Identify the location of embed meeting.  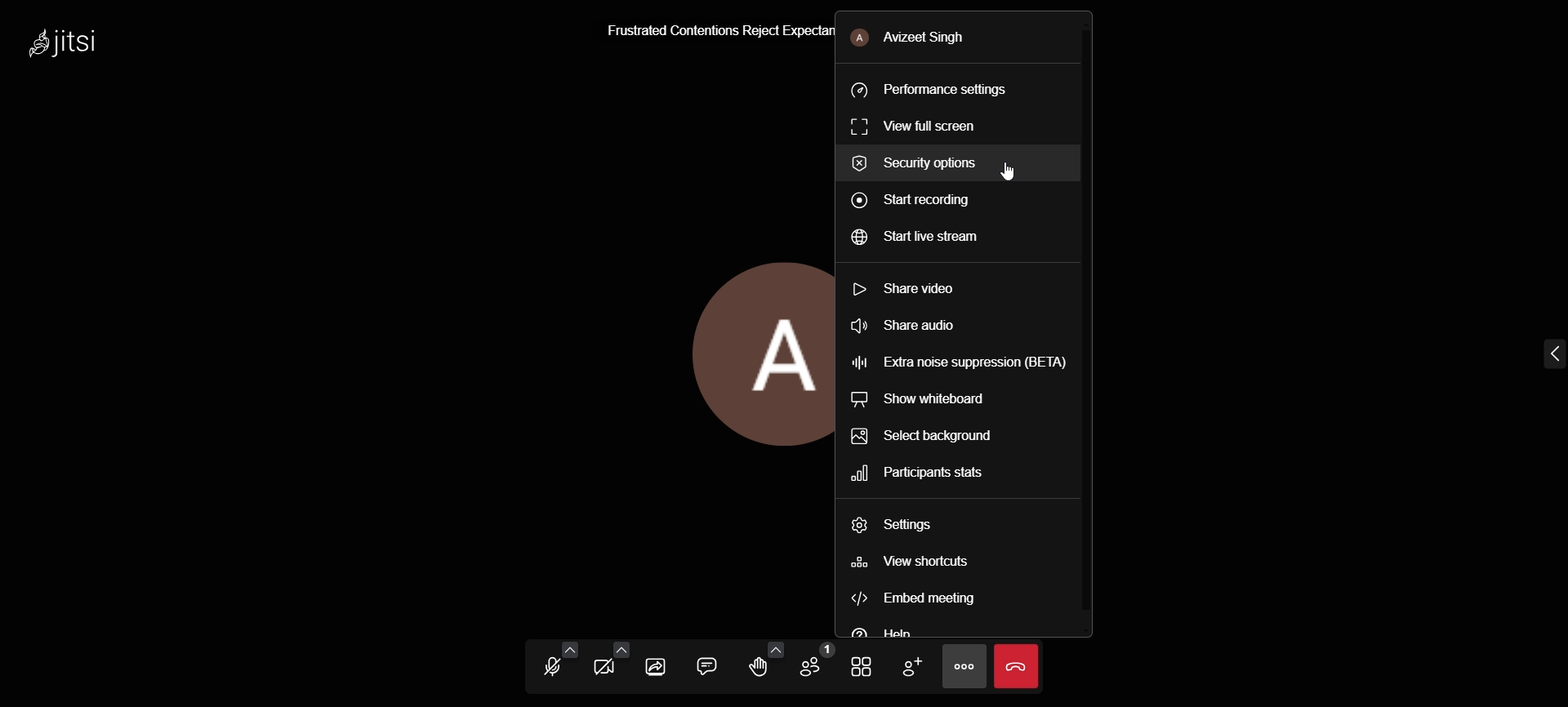
(921, 600).